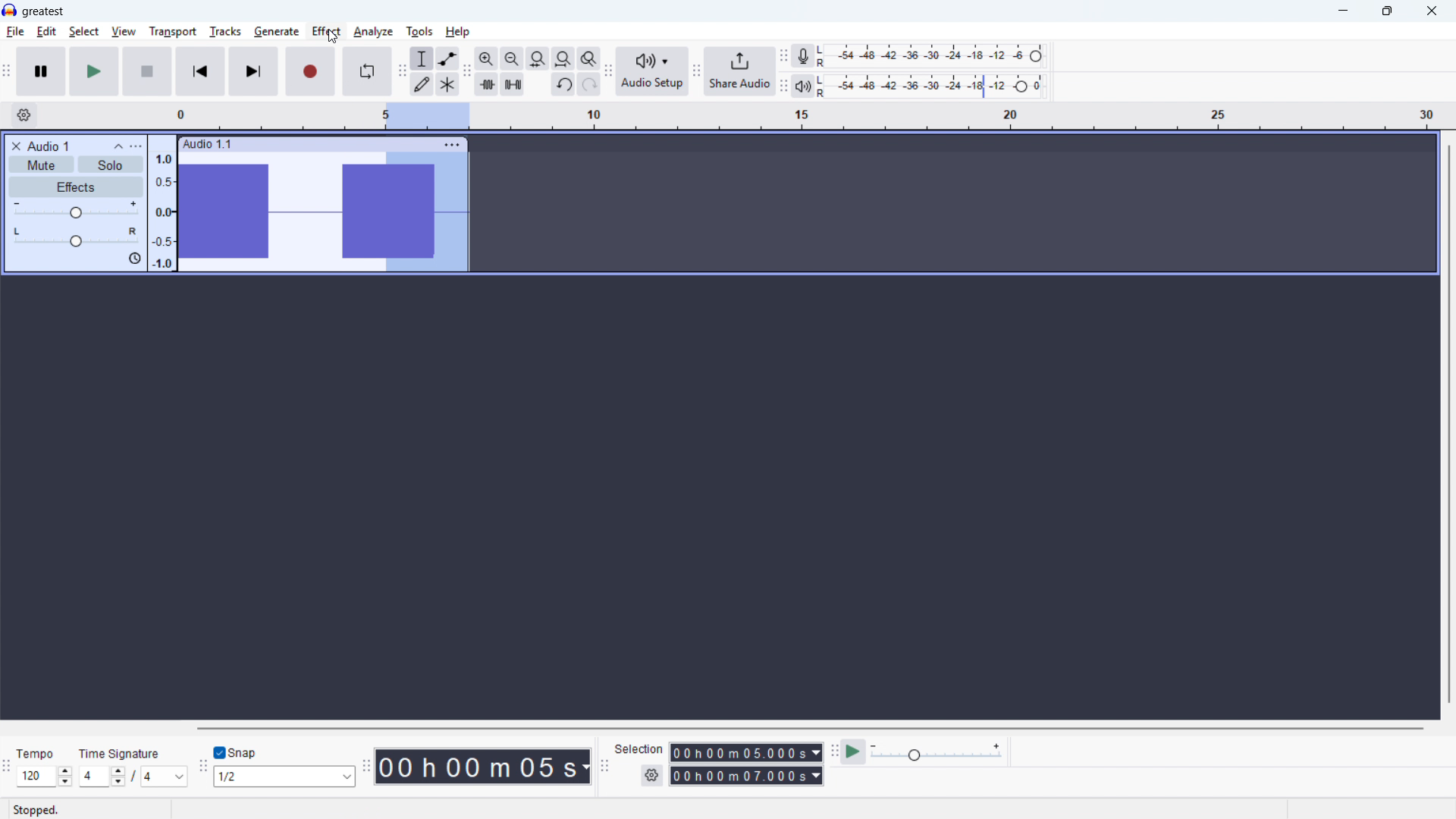 The height and width of the screenshot is (819, 1456). What do you see at coordinates (124, 33) in the screenshot?
I see `view` at bounding box center [124, 33].